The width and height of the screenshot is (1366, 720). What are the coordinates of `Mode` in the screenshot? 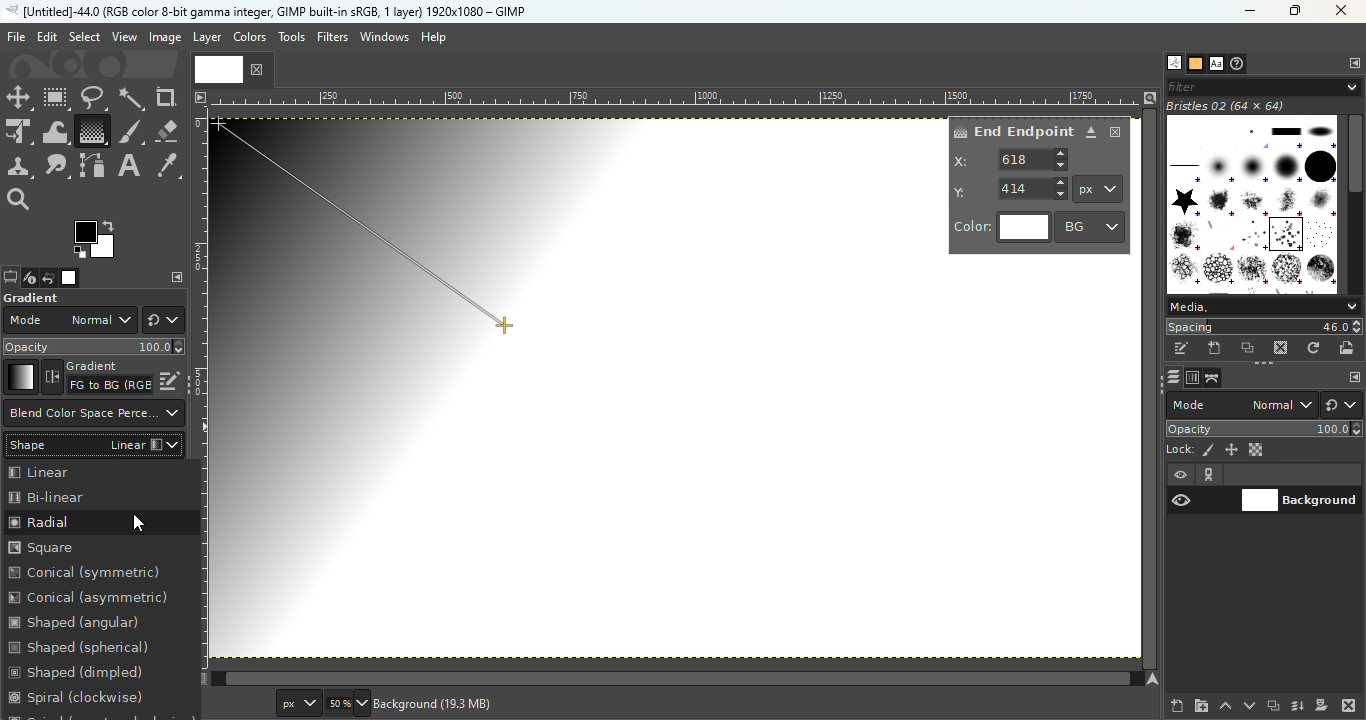 It's located at (69, 320).